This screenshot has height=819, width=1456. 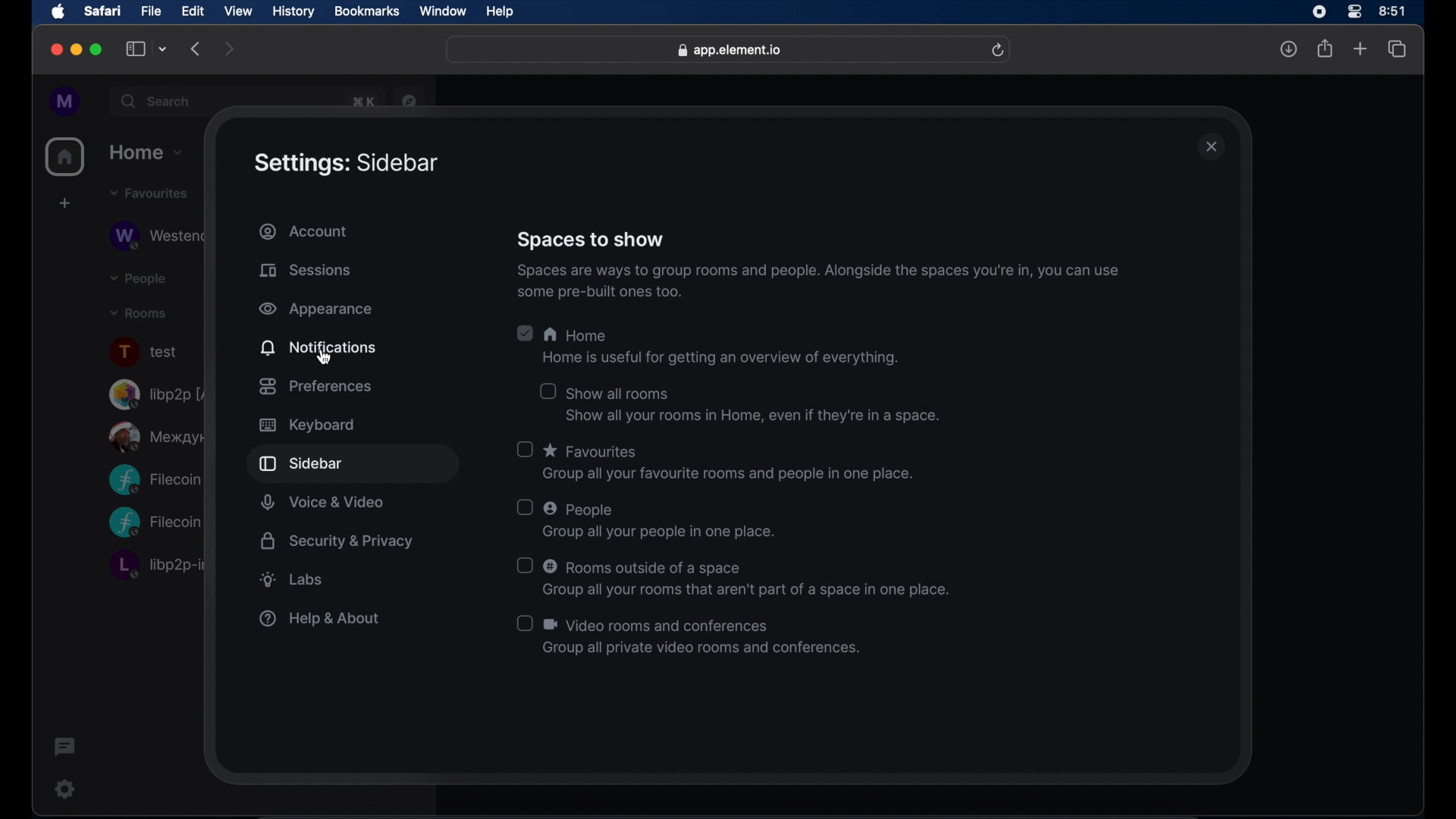 What do you see at coordinates (704, 344) in the screenshot?
I see `A Home
Home is useful for getting an overview of everything.` at bounding box center [704, 344].